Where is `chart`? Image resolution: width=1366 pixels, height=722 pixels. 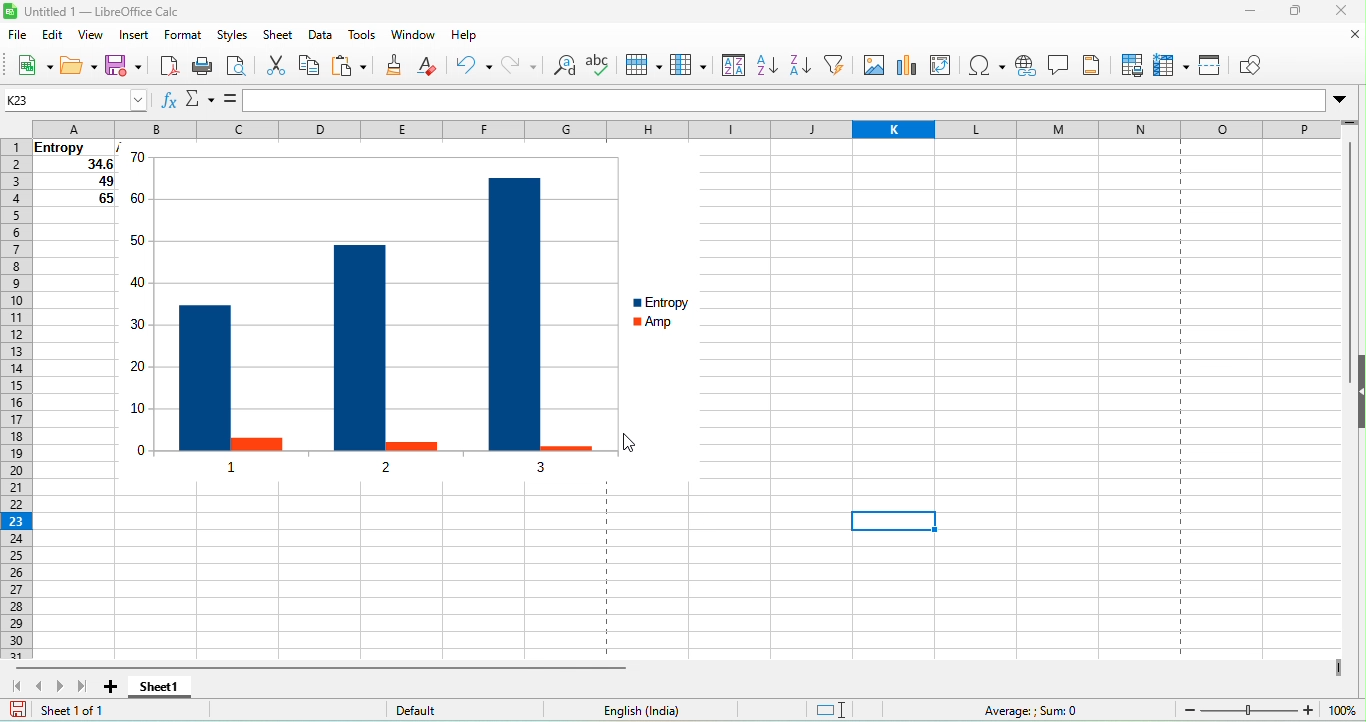
chart is located at coordinates (909, 66).